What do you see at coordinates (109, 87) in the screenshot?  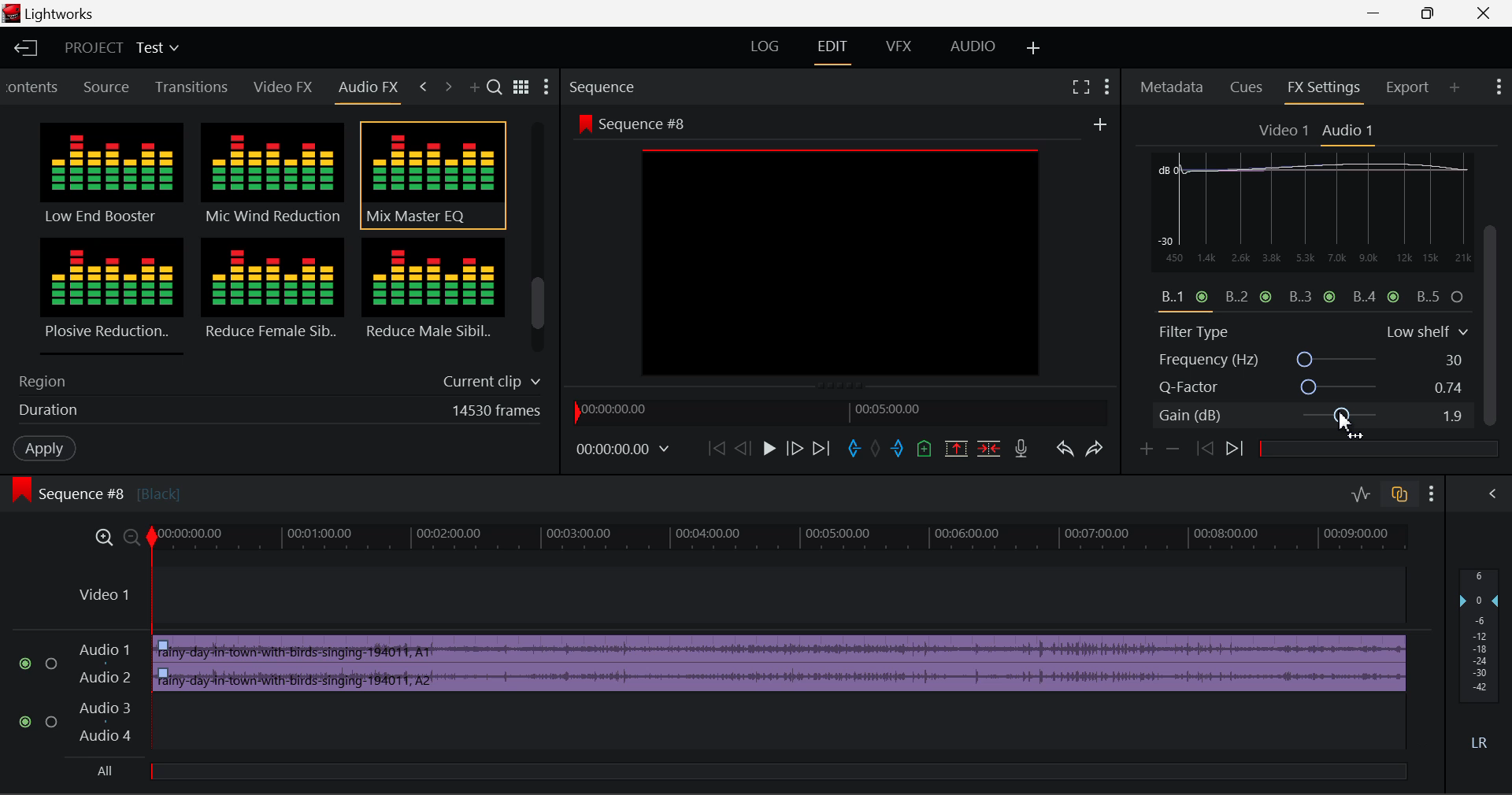 I see `Source` at bounding box center [109, 87].